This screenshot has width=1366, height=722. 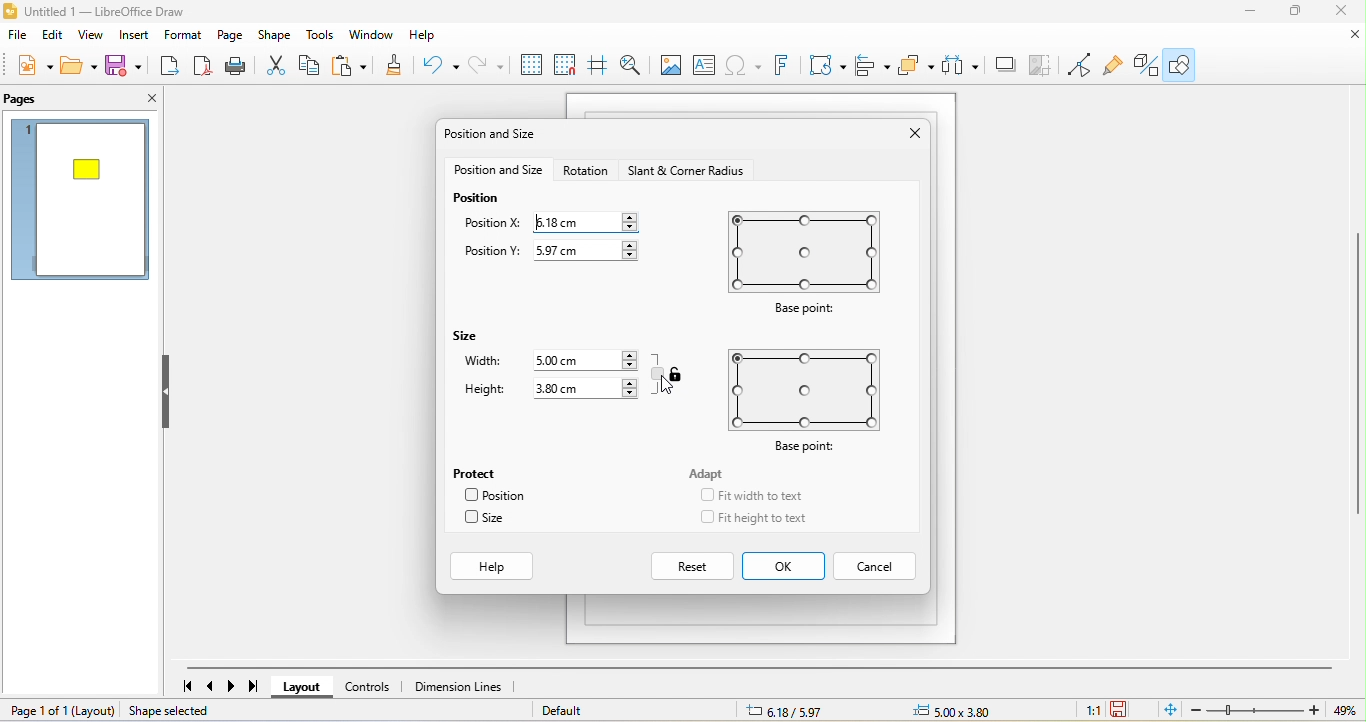 What do you see at coordinates (486, 521) in the screenshot?
I see `size` at bounding box center [486, 521].